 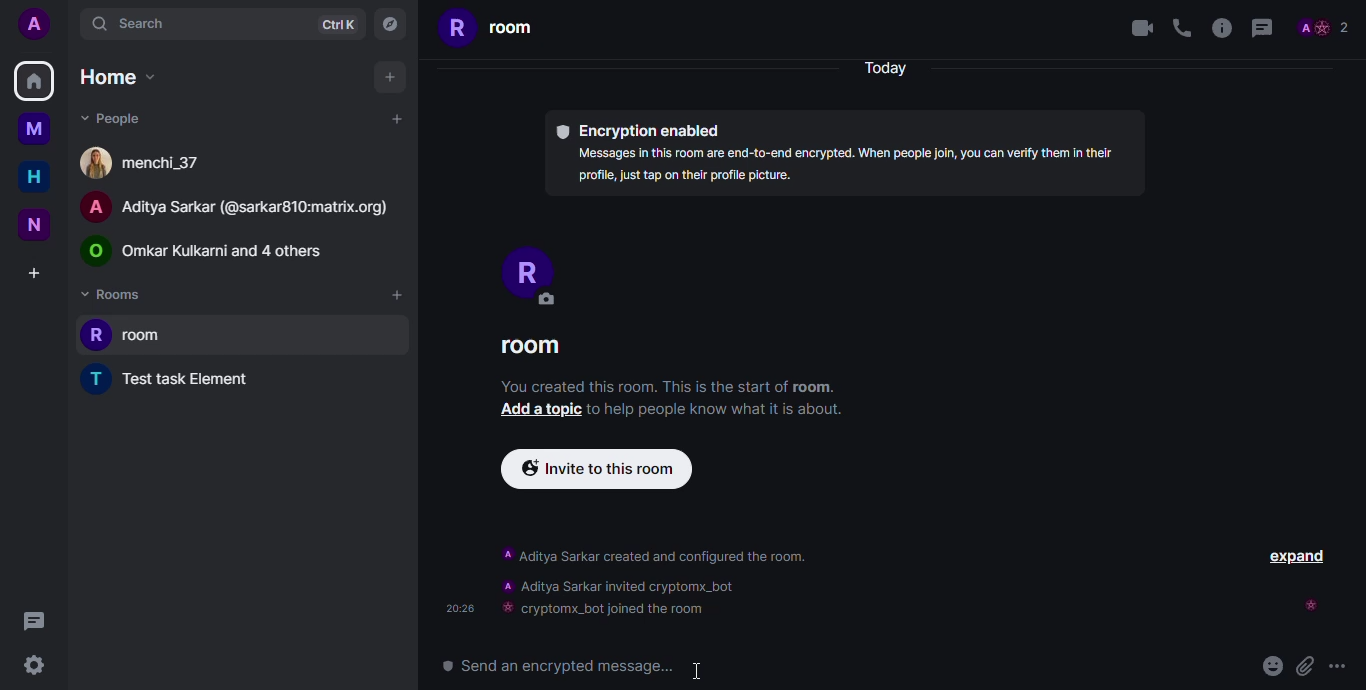 I want to click on room, so click(x=129, y=331).